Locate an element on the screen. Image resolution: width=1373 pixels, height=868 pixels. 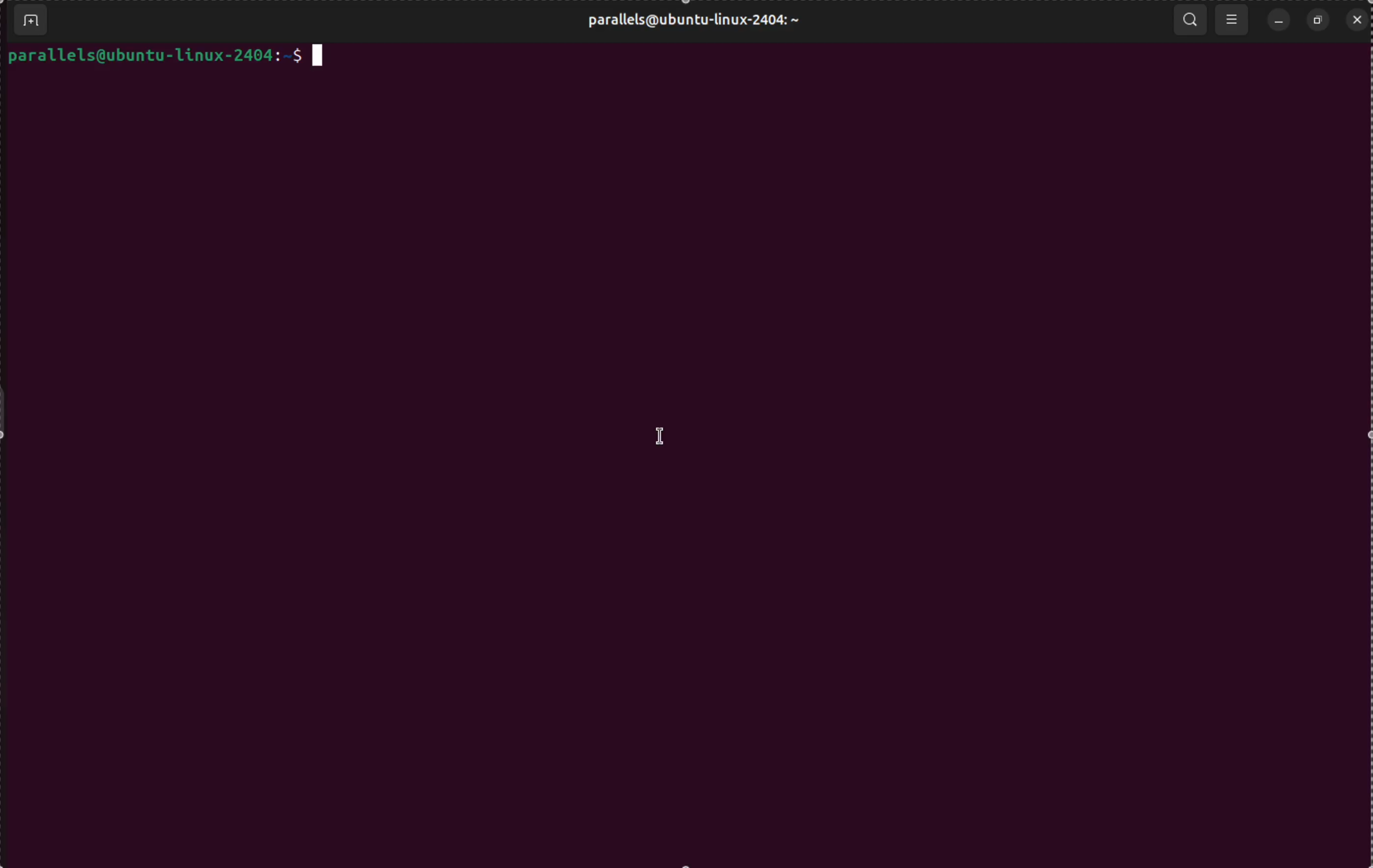
view options is located at coordinates (1233, 21).